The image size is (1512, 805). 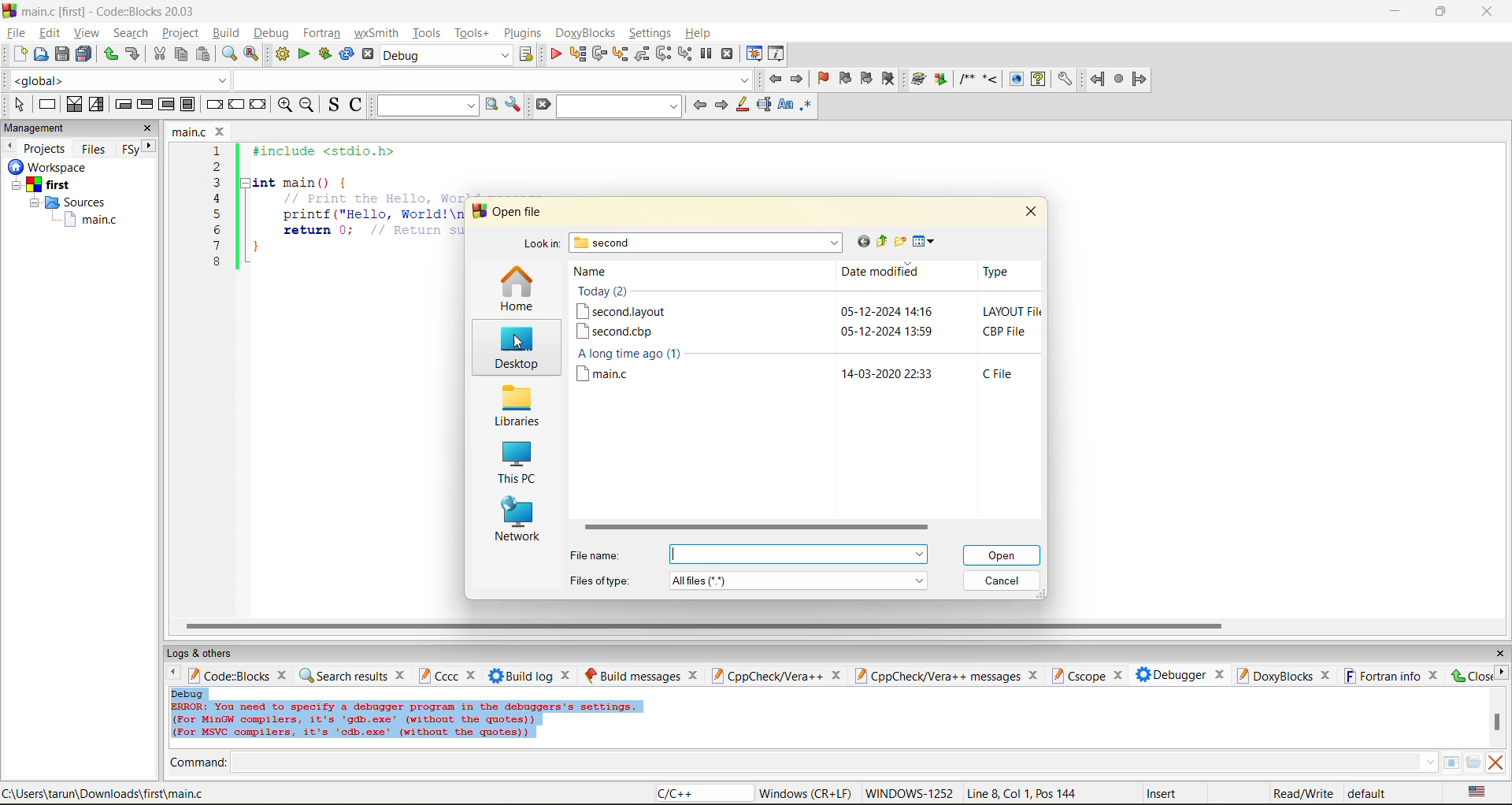 I want to click on #include <stdio.h>, so click(x=334, y=151).